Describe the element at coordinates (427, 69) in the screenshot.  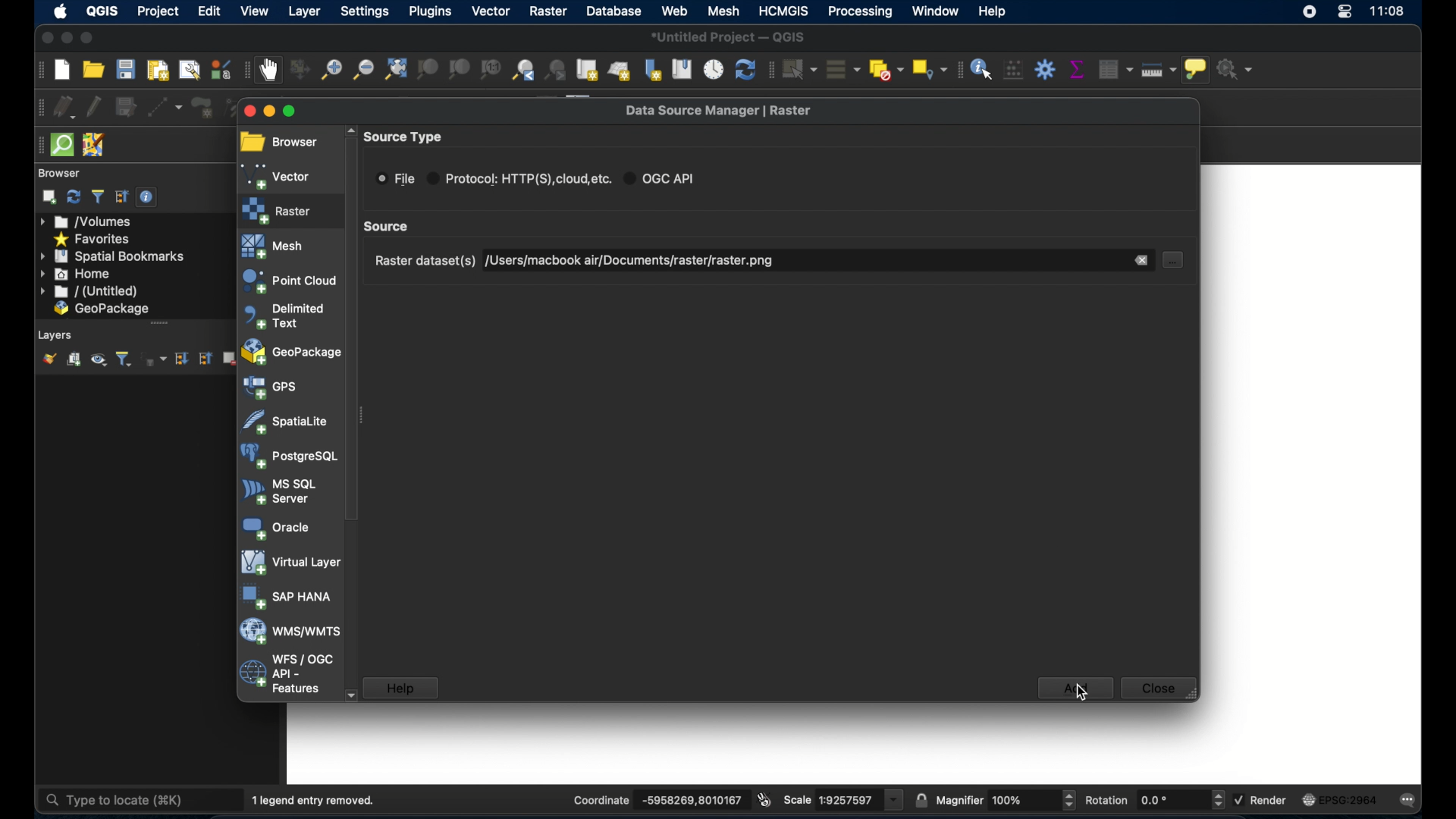
I see `zoom to selection` at that location.